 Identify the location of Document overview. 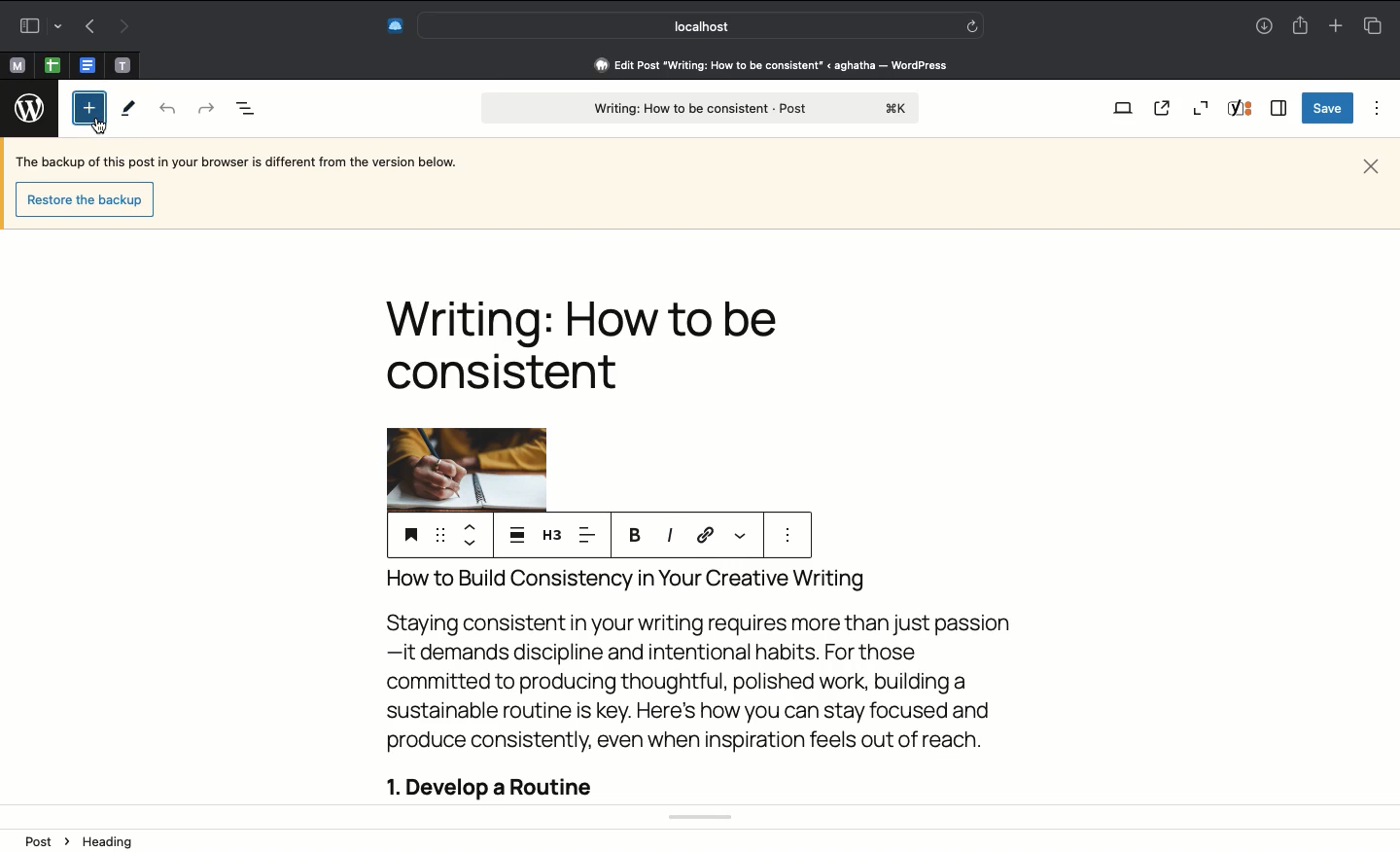
(247, 109).